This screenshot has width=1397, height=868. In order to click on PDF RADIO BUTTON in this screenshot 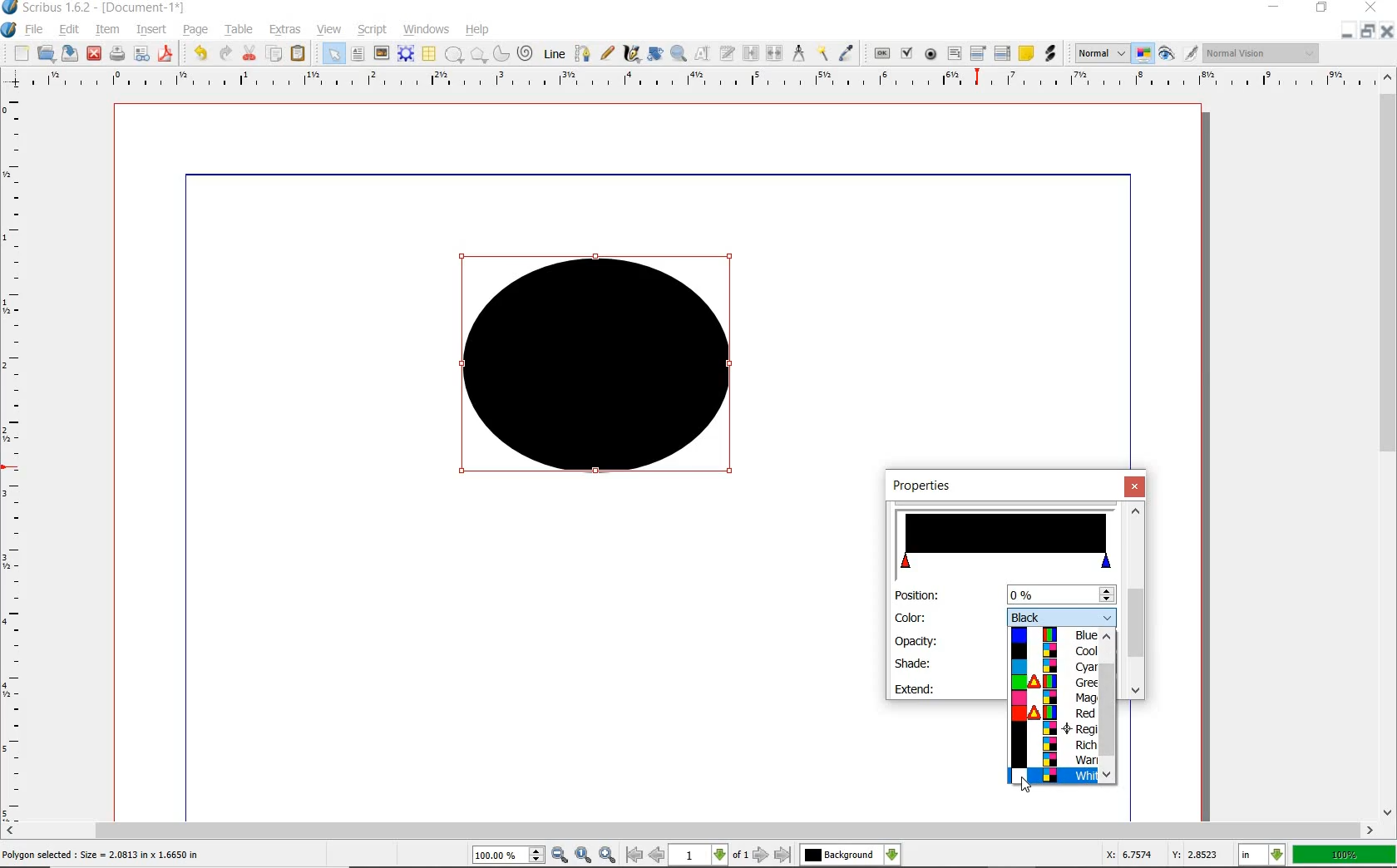, I will do `click(931, 53)`.